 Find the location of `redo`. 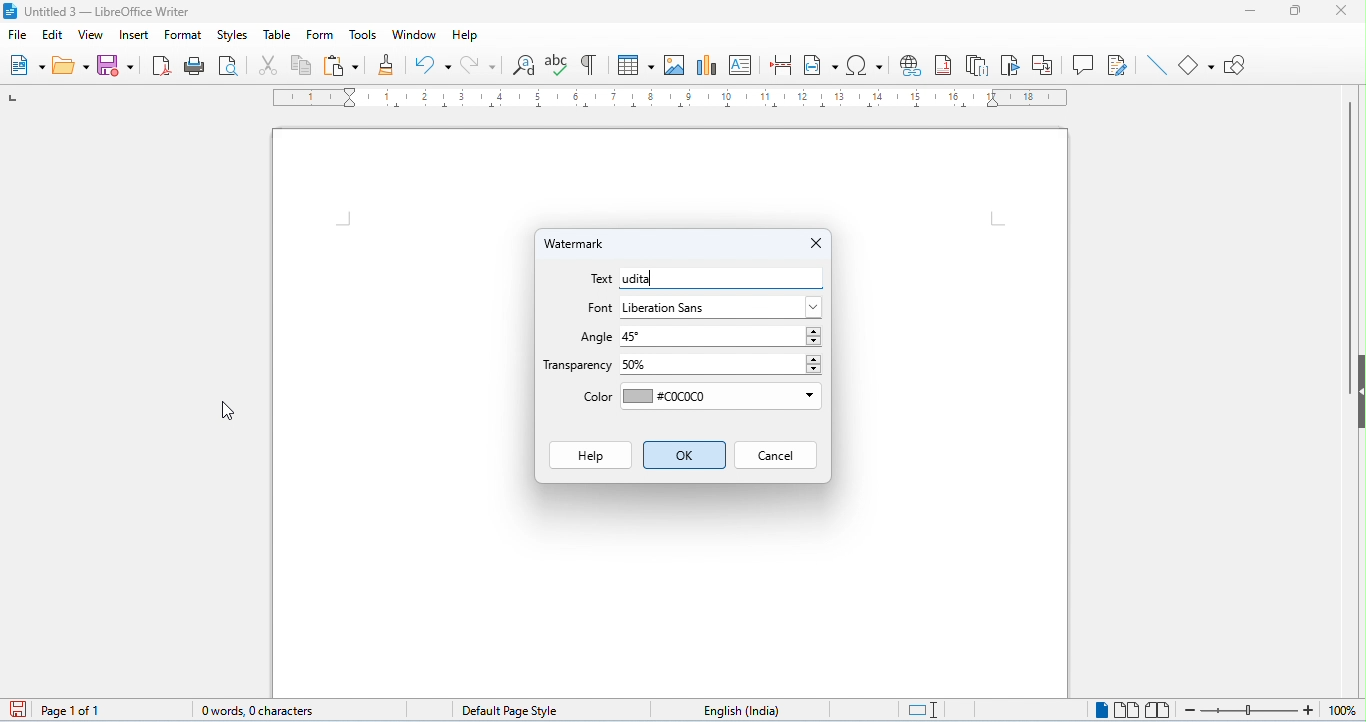

redo is located at coordinates (479, 65).